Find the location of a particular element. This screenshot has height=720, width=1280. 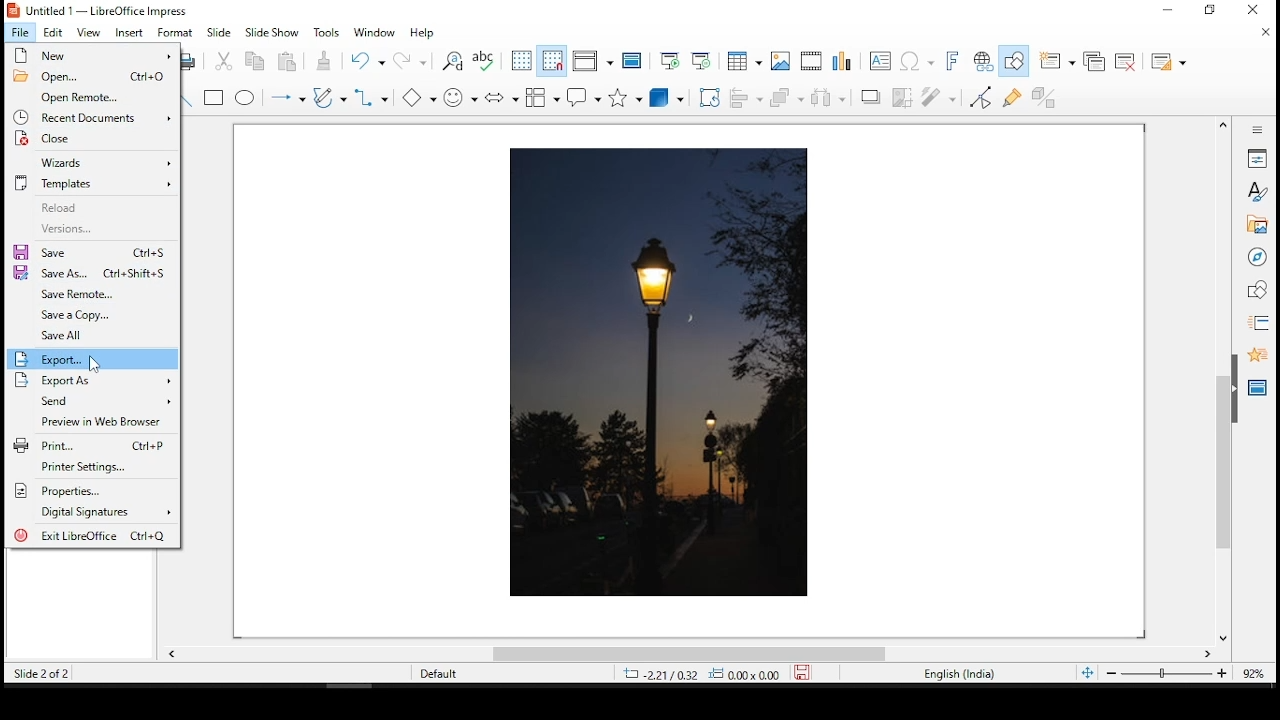

ellipse is located at coordinates (246, 98).